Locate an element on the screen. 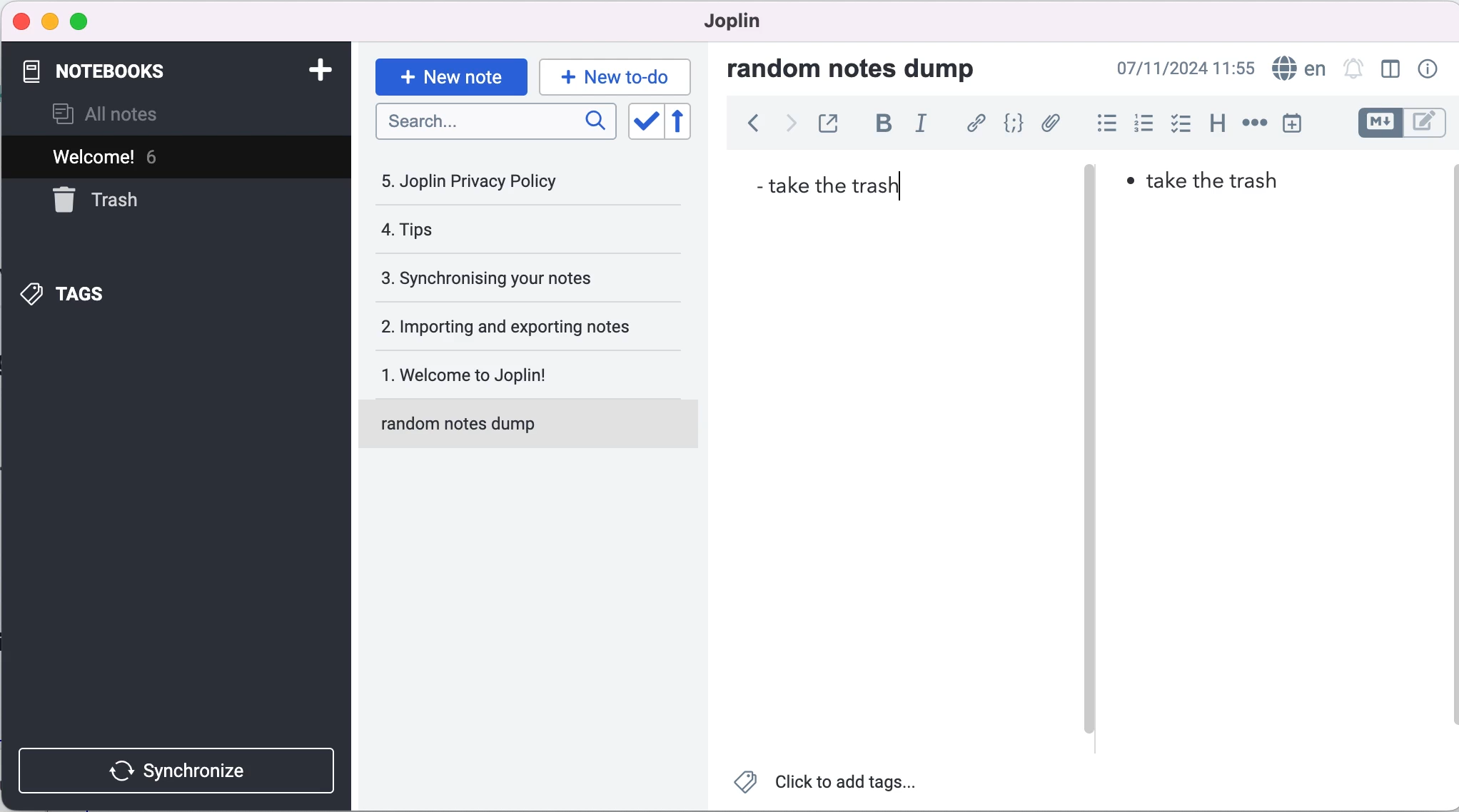  trash is located at coordinates (131, 201).